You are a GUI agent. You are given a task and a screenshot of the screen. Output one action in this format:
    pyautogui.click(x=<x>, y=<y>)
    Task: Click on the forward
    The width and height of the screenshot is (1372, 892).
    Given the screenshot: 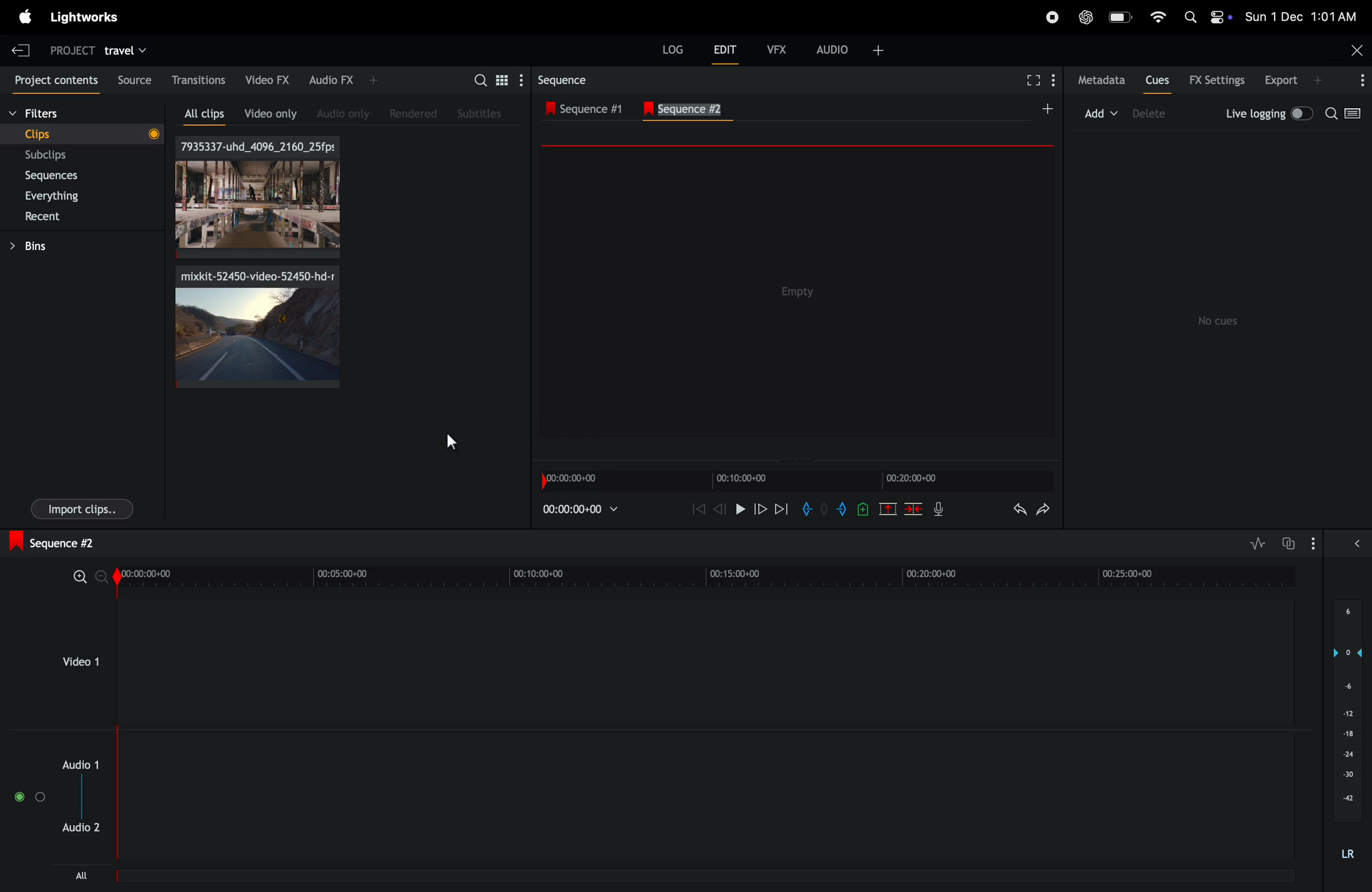 What is the action you would take?
    pyautogui.click(x=759, y=508)
    